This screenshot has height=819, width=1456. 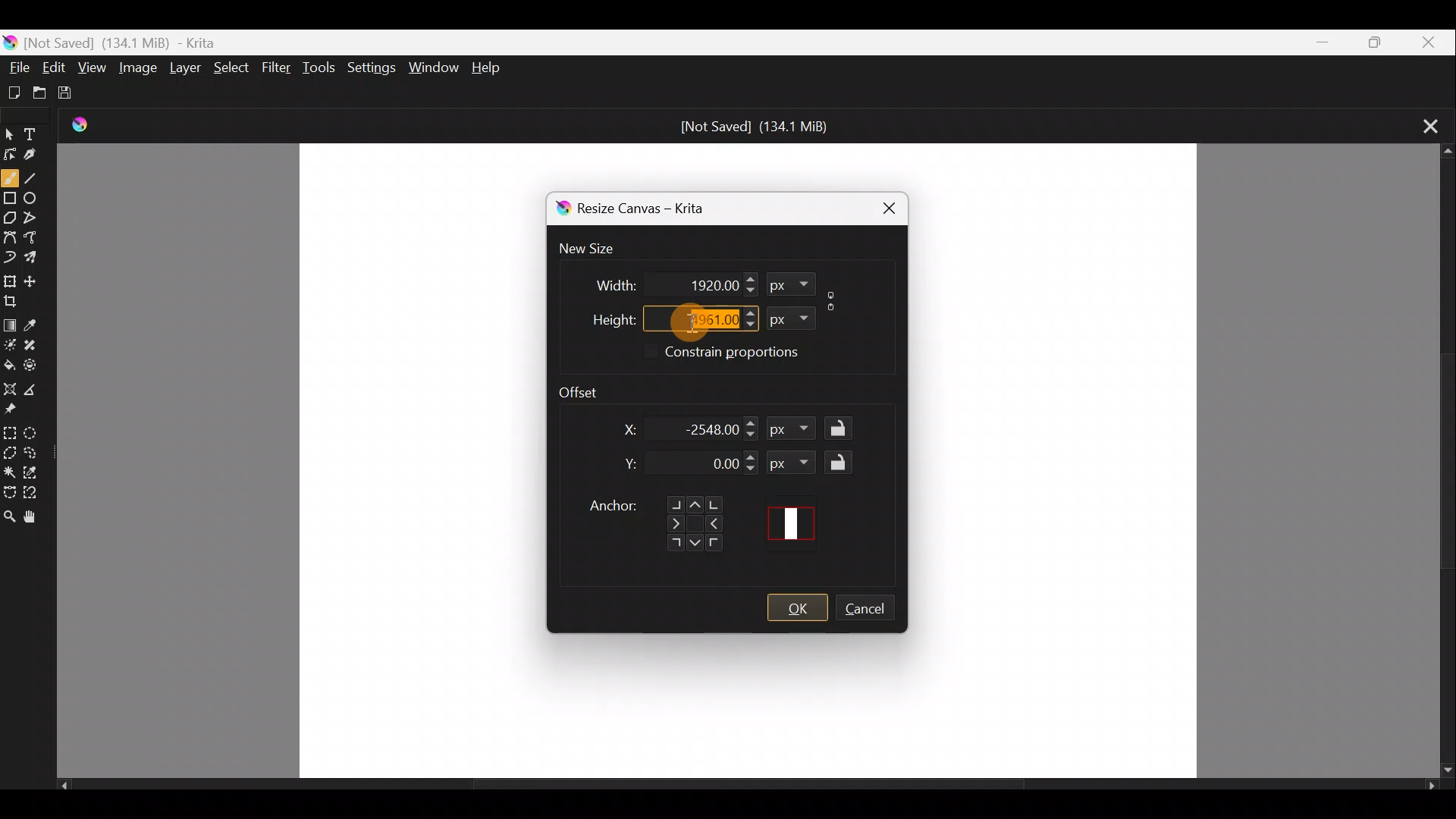 What do you see at coordinates (560, 209) in the screenshot?
I see `Krita logo` at bounding box center [560, 209].